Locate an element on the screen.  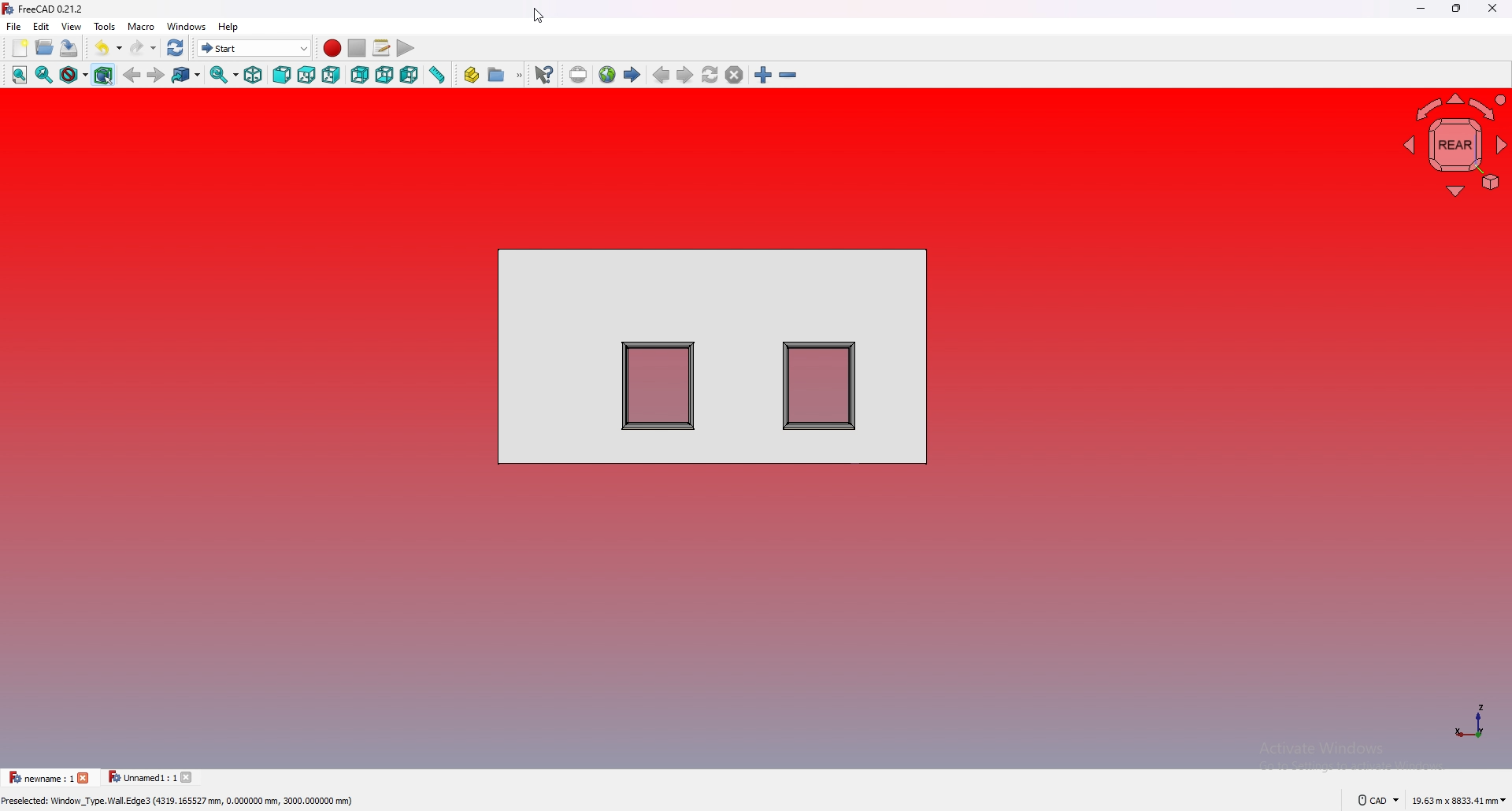
create group is located at coordinates (506, 74).